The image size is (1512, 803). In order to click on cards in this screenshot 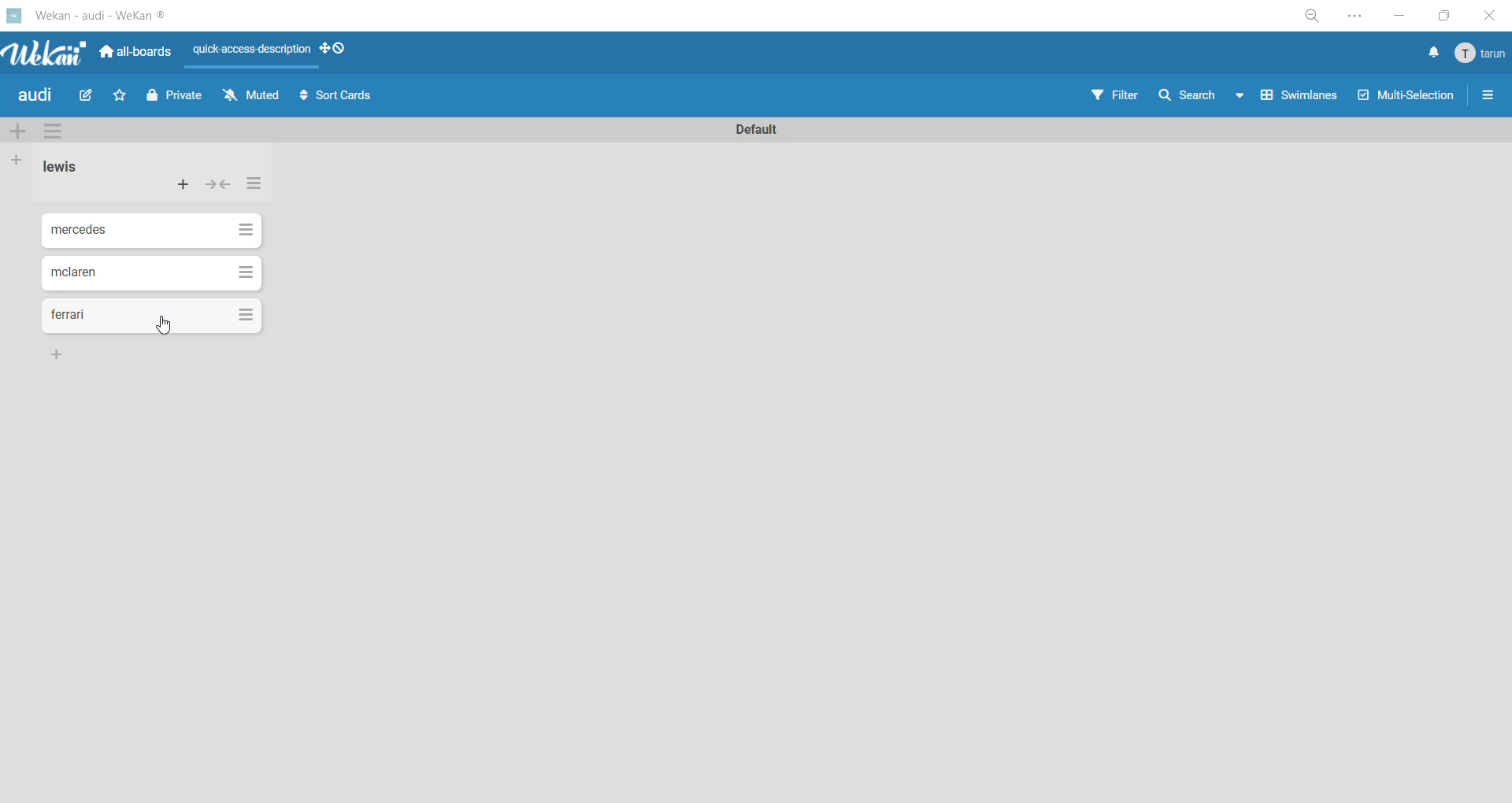, I will do `click(151, 316)`.